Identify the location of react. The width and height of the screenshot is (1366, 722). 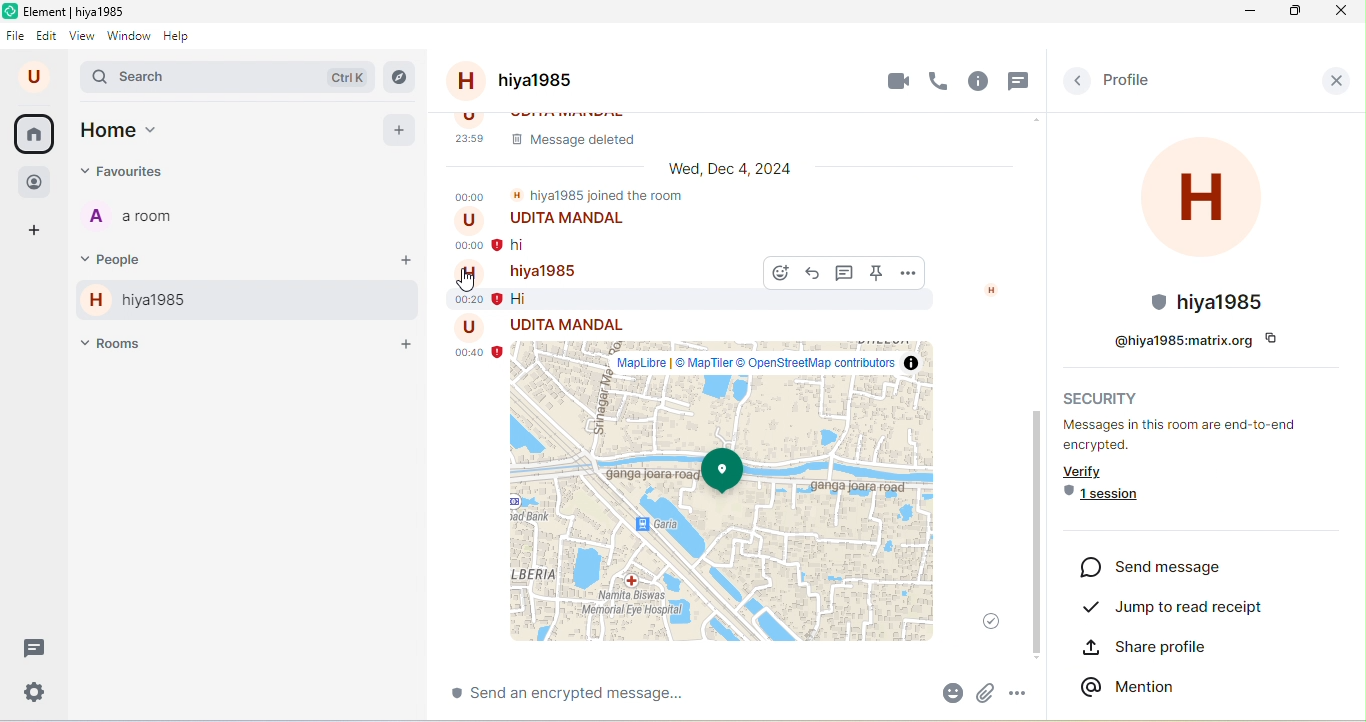
(779, 275).